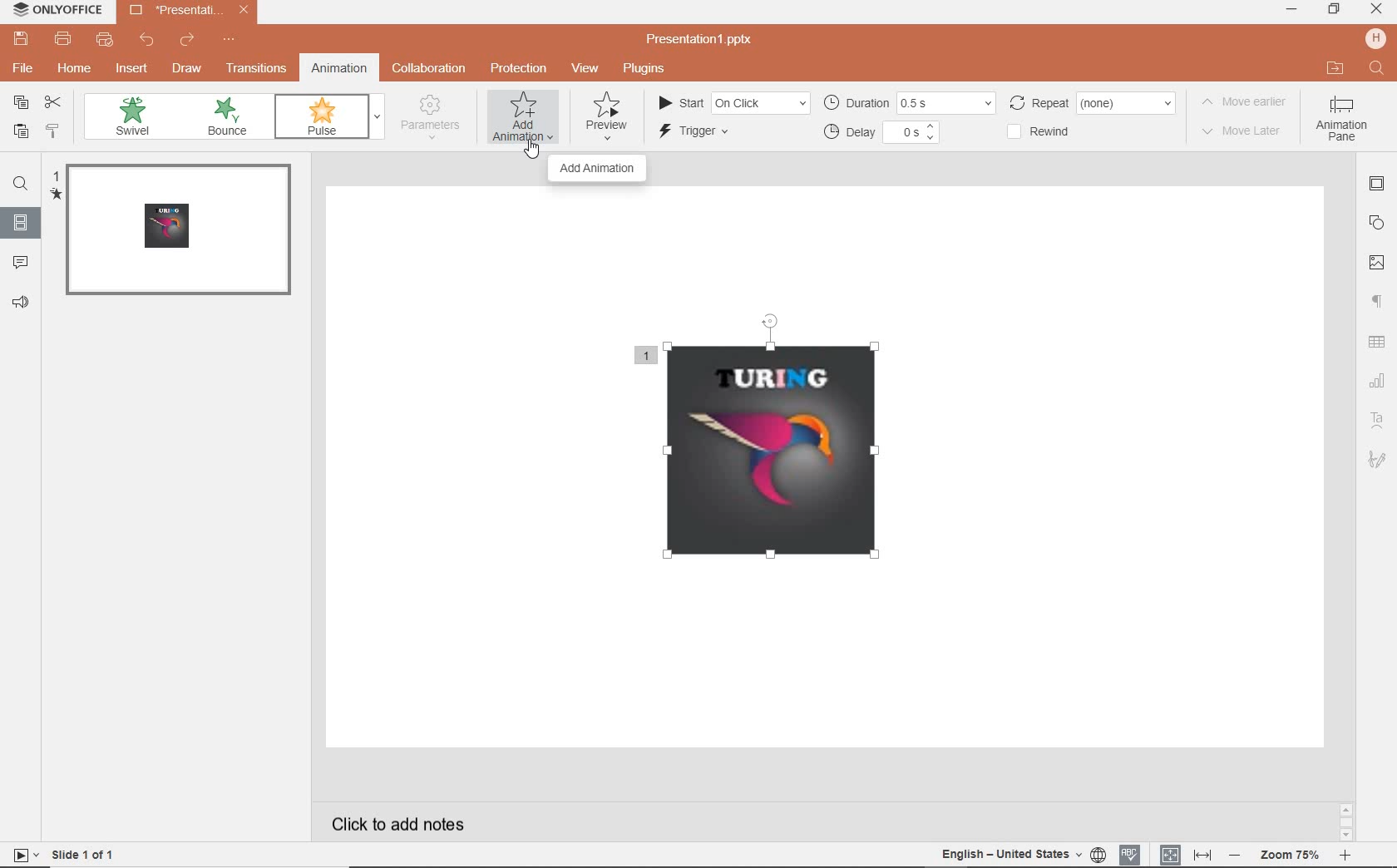 Image resolution: width=1397 pixels, height=868 pixels. What do you see at coordinates (73, 856) in the screenshot?
I see `slide 1 of 1` at bounding box center [73, 856].